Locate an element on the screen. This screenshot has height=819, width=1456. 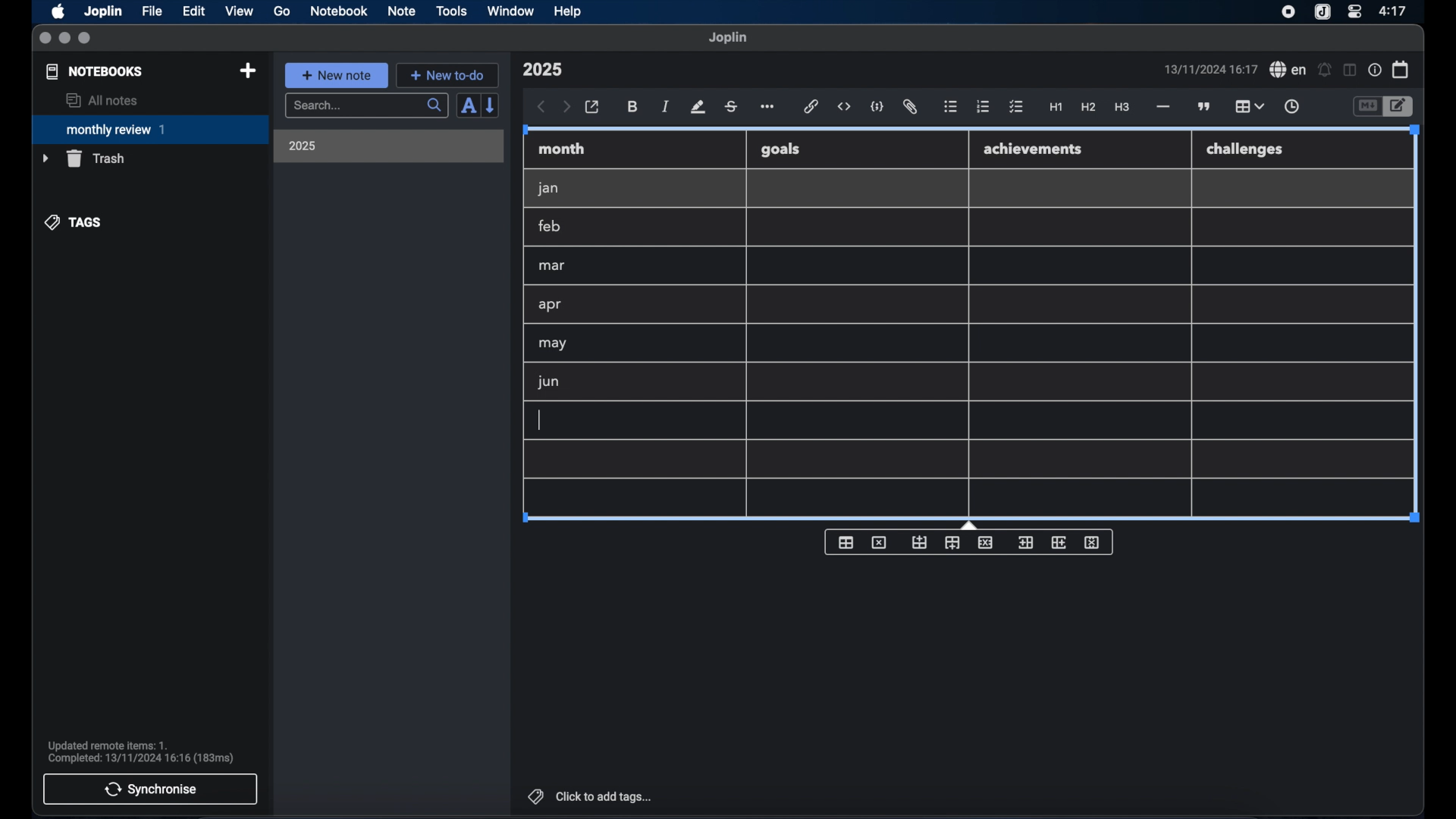
2025 is located at coordinates (303, 146).